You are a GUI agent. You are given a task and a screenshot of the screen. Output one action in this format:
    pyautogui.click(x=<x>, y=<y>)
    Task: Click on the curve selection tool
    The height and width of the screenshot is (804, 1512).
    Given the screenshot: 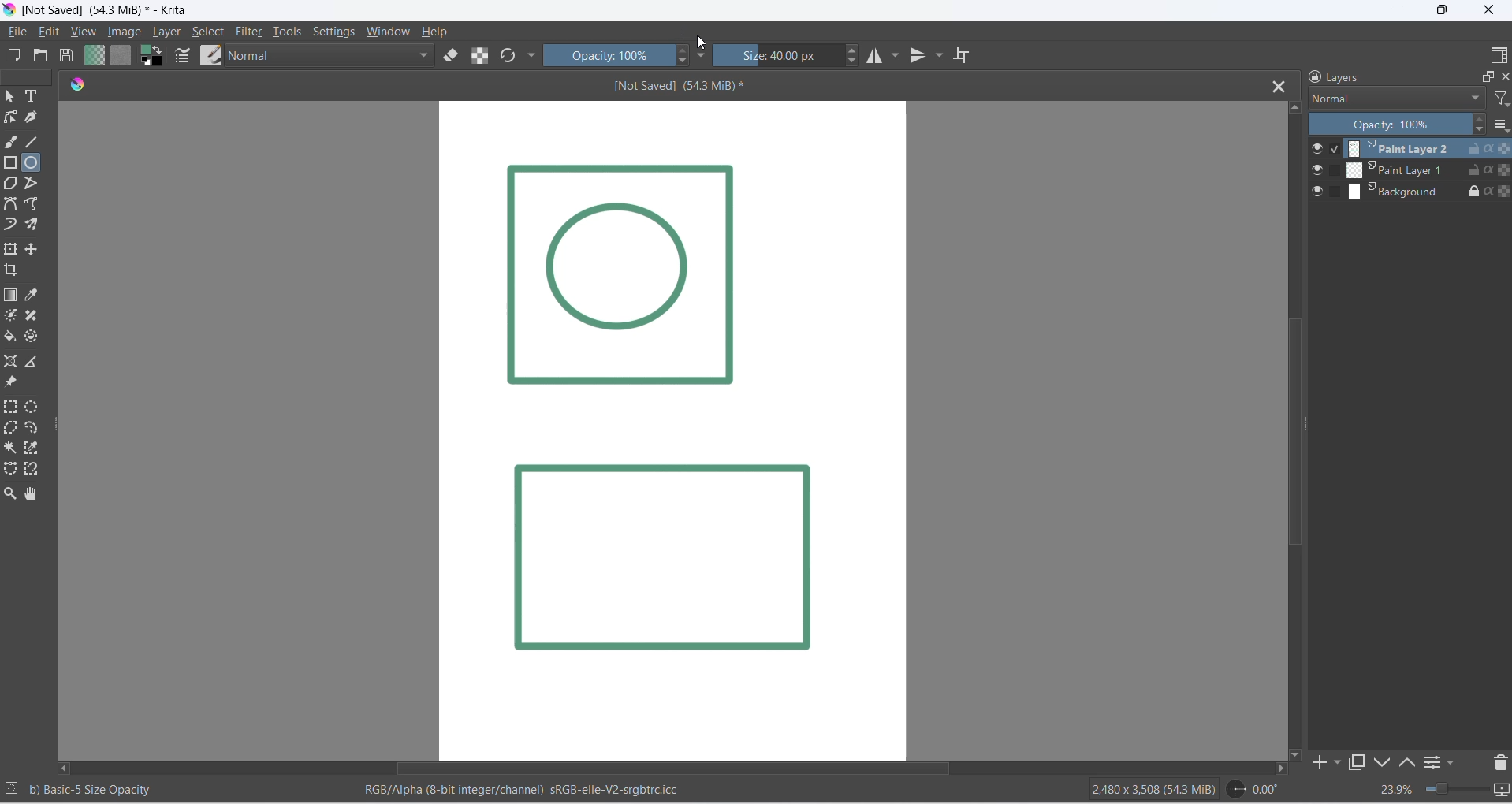 What is the action you would take?
    pyautogui.click(x=10, y=470)
    